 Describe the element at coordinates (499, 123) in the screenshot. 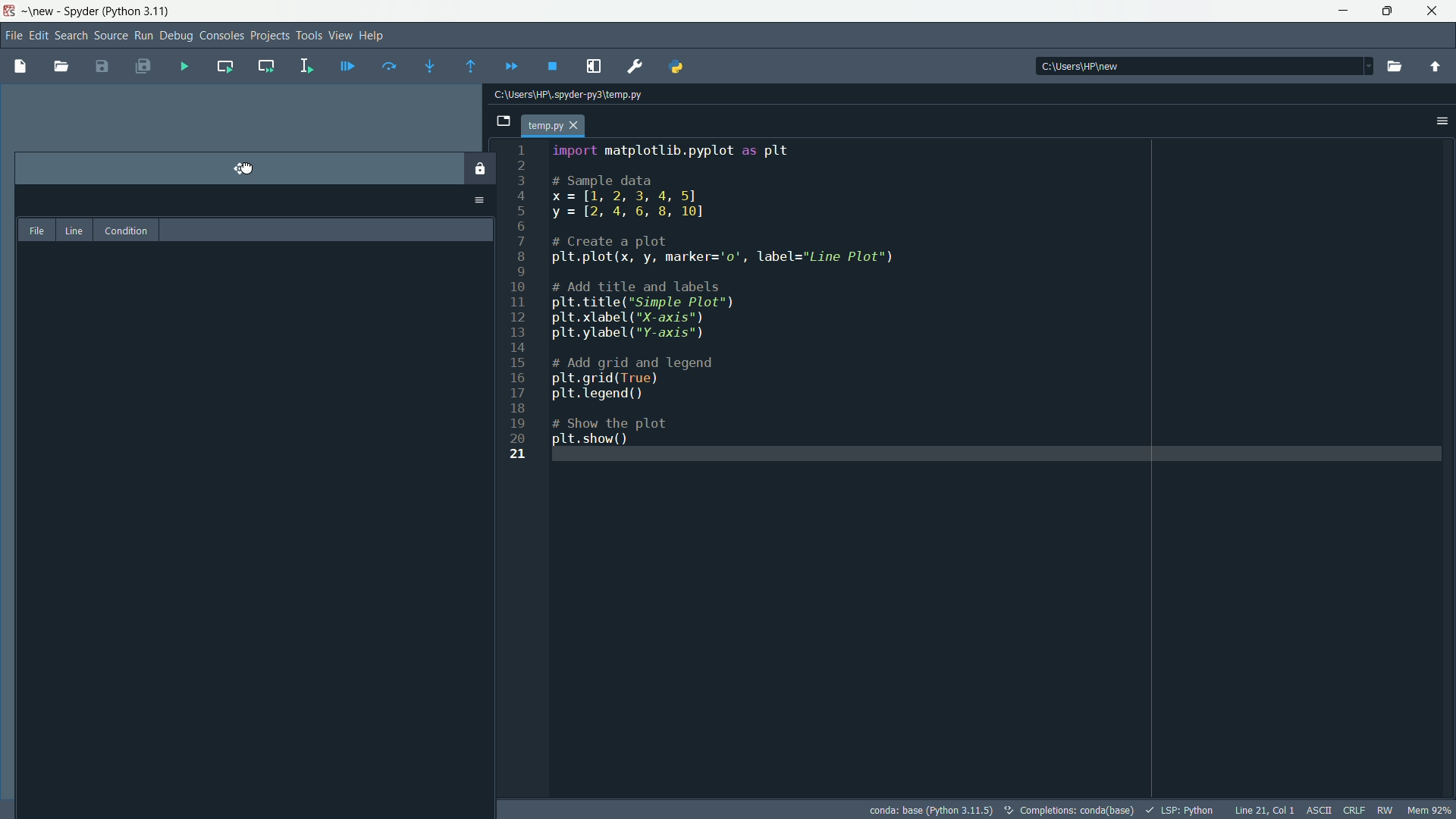

I see `browse tab` at that location.